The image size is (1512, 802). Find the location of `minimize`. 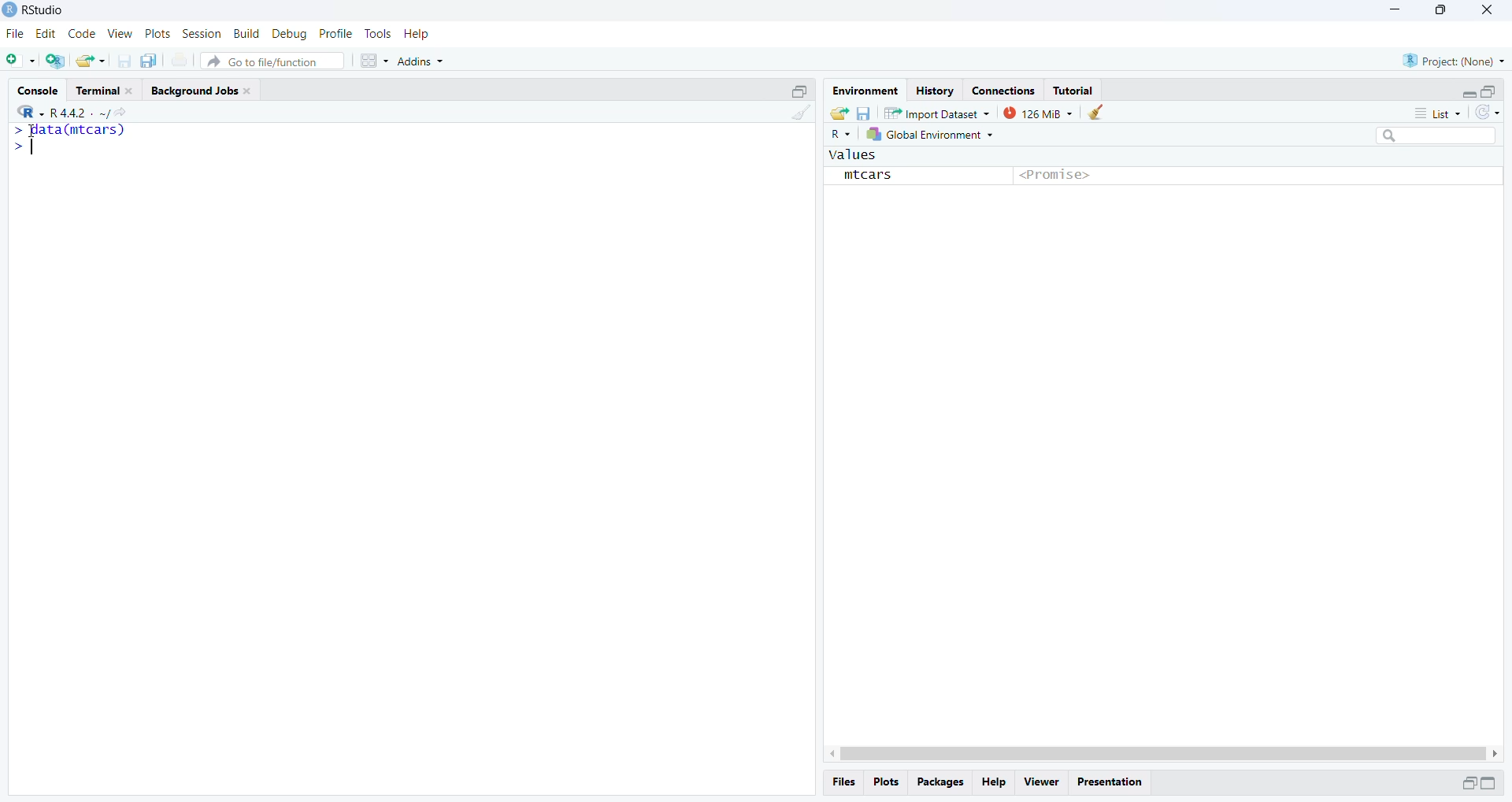

minimize is located at coordinates (1469, 94).